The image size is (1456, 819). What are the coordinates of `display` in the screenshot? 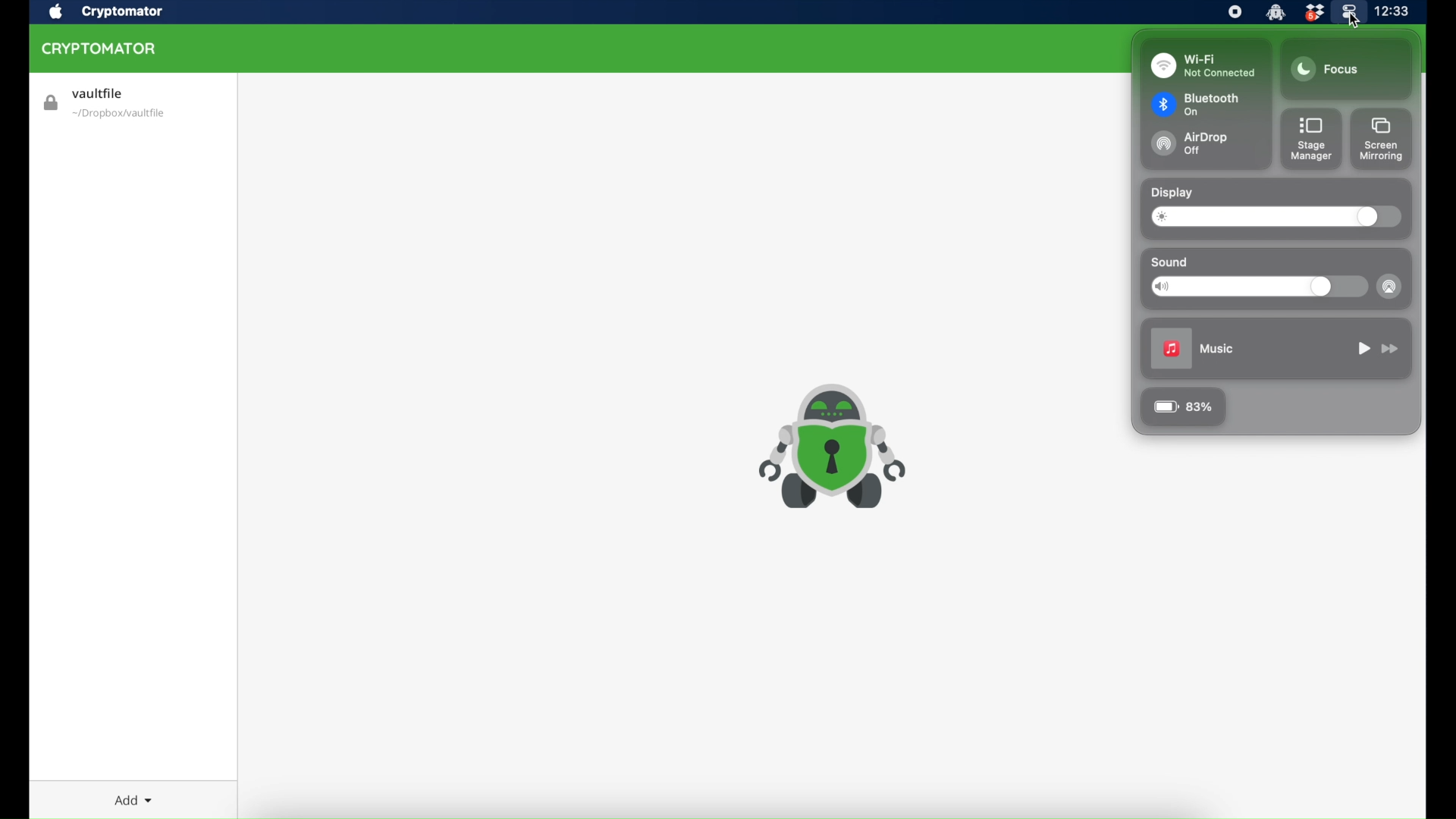 It's located at (1279, 209).